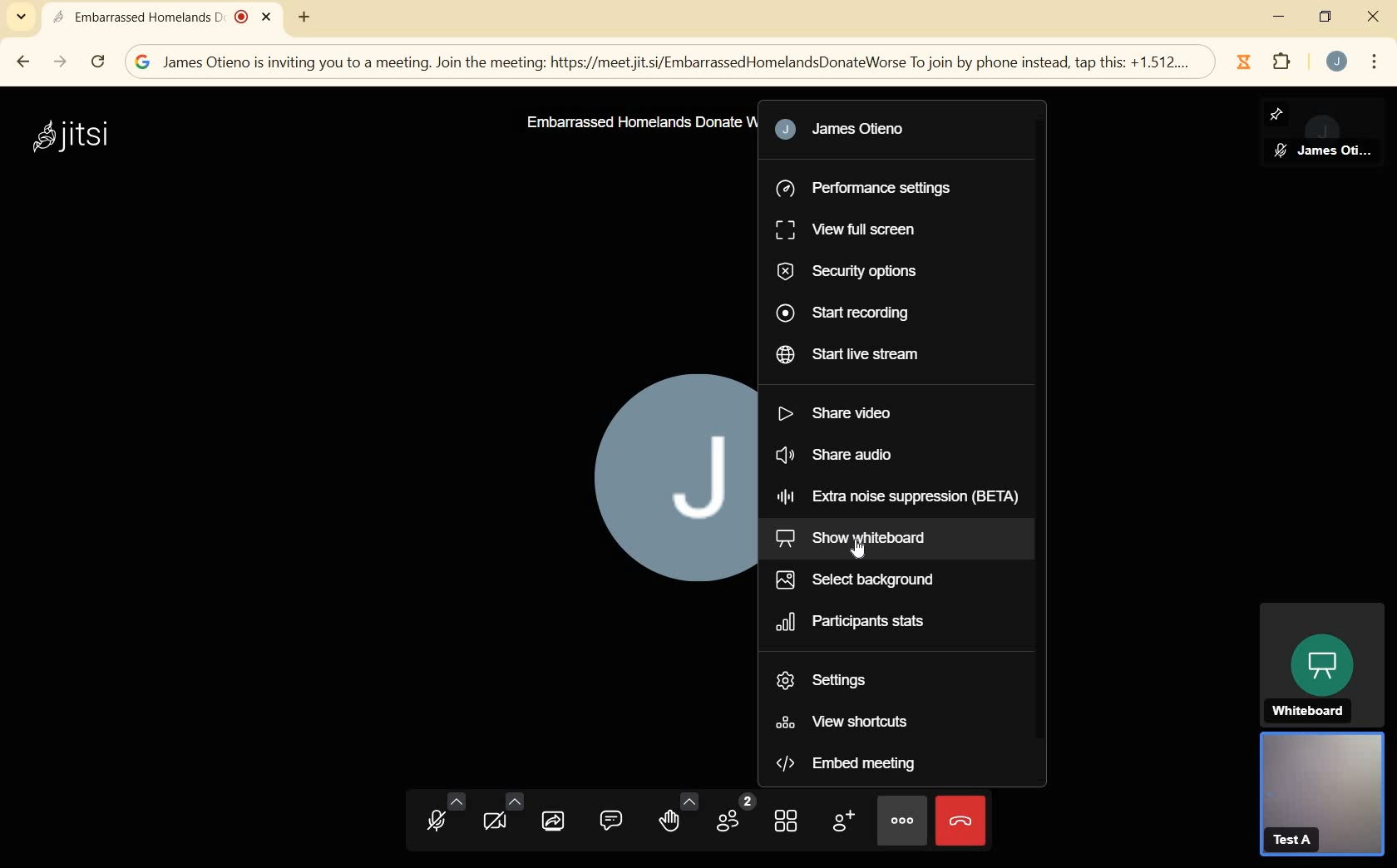  Describe the element at coordinates (61, 62) in the screenshot. I see `FORWARD` at that location.